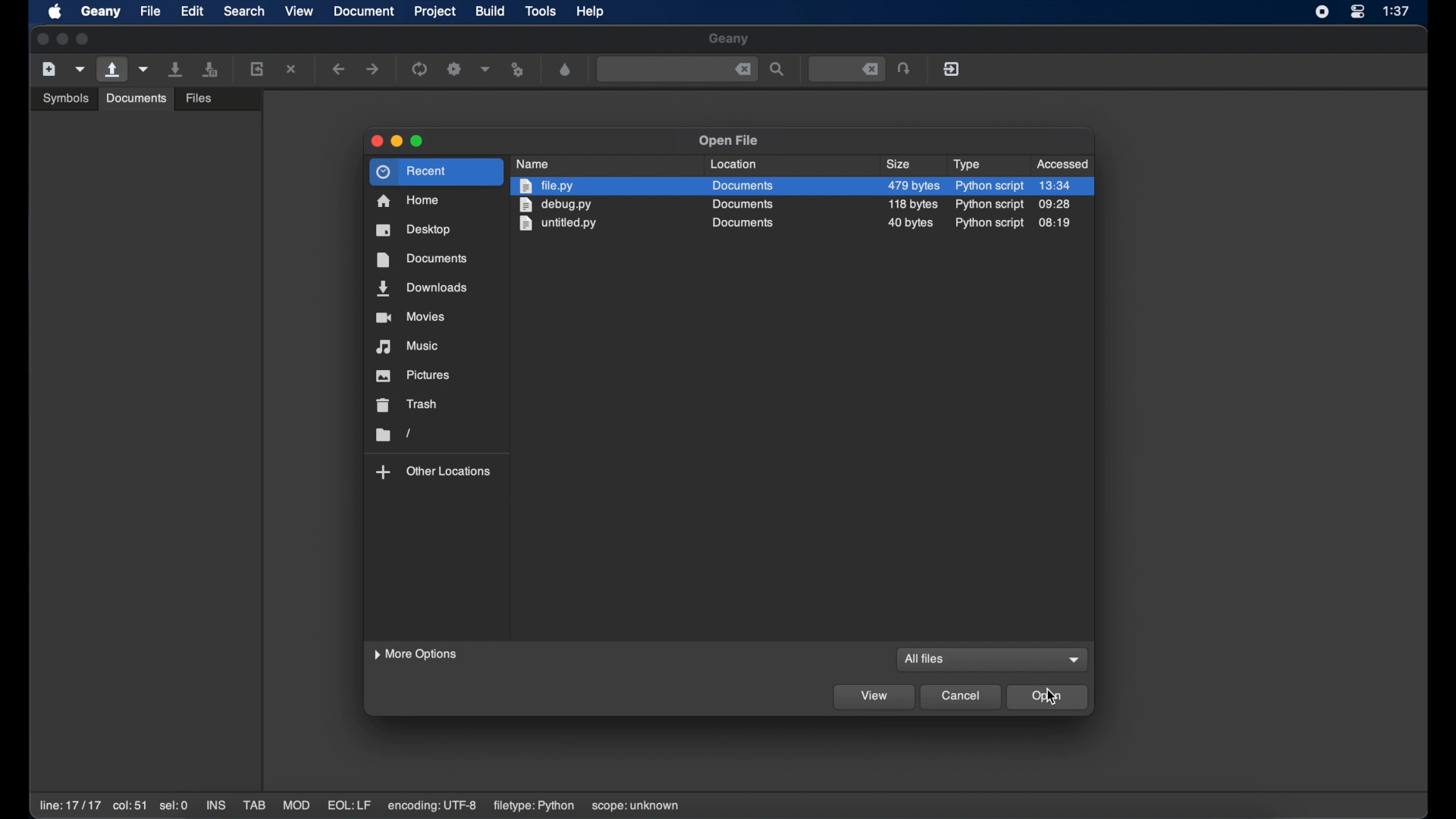 The width and height of the screenshot is (1456, 819). I want to click on more options, so click(417, 654).